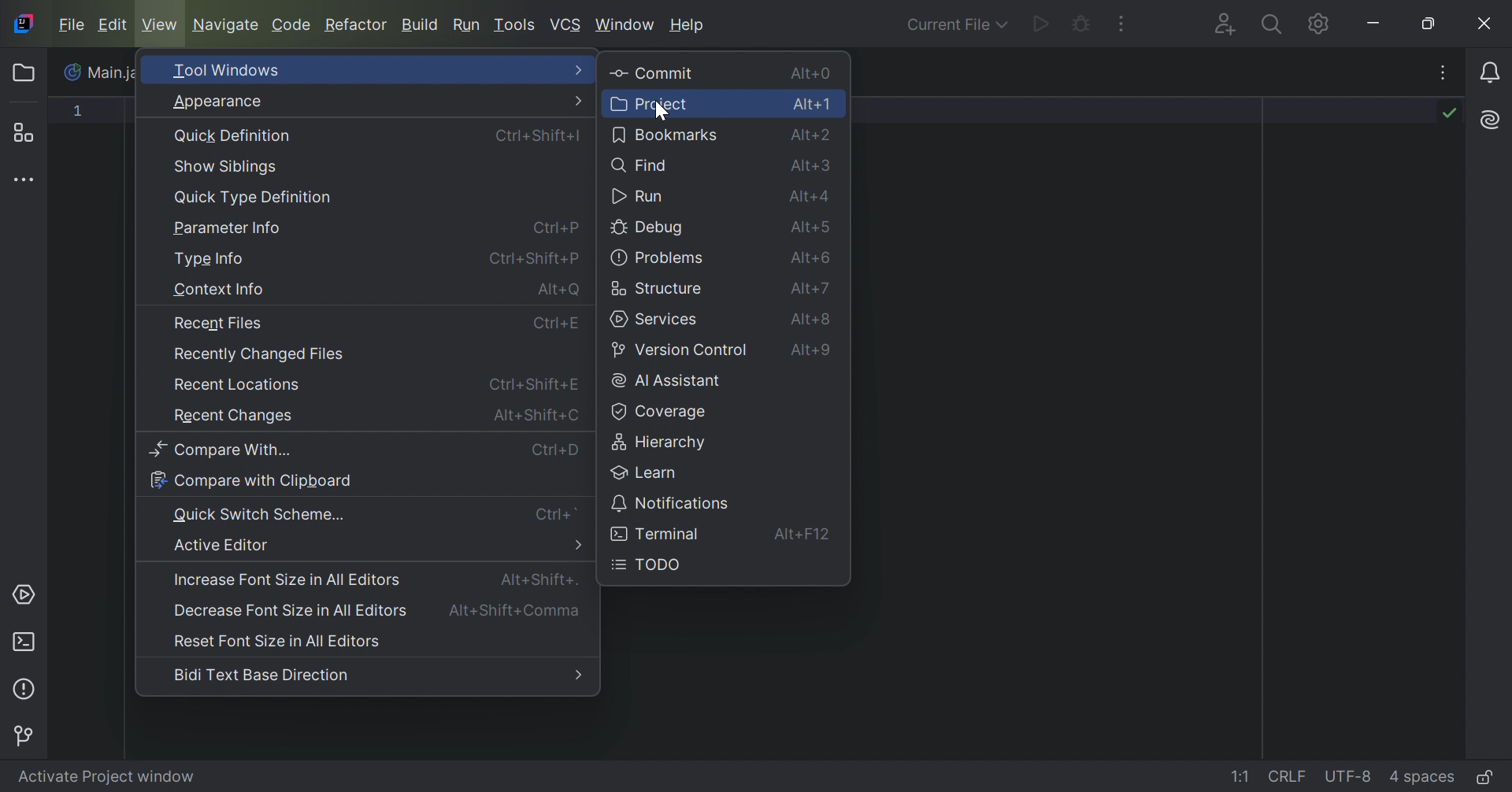 Image resolution: width=1512 pixels, height=792 pixels. I want to click on Project, so click(650, 104).